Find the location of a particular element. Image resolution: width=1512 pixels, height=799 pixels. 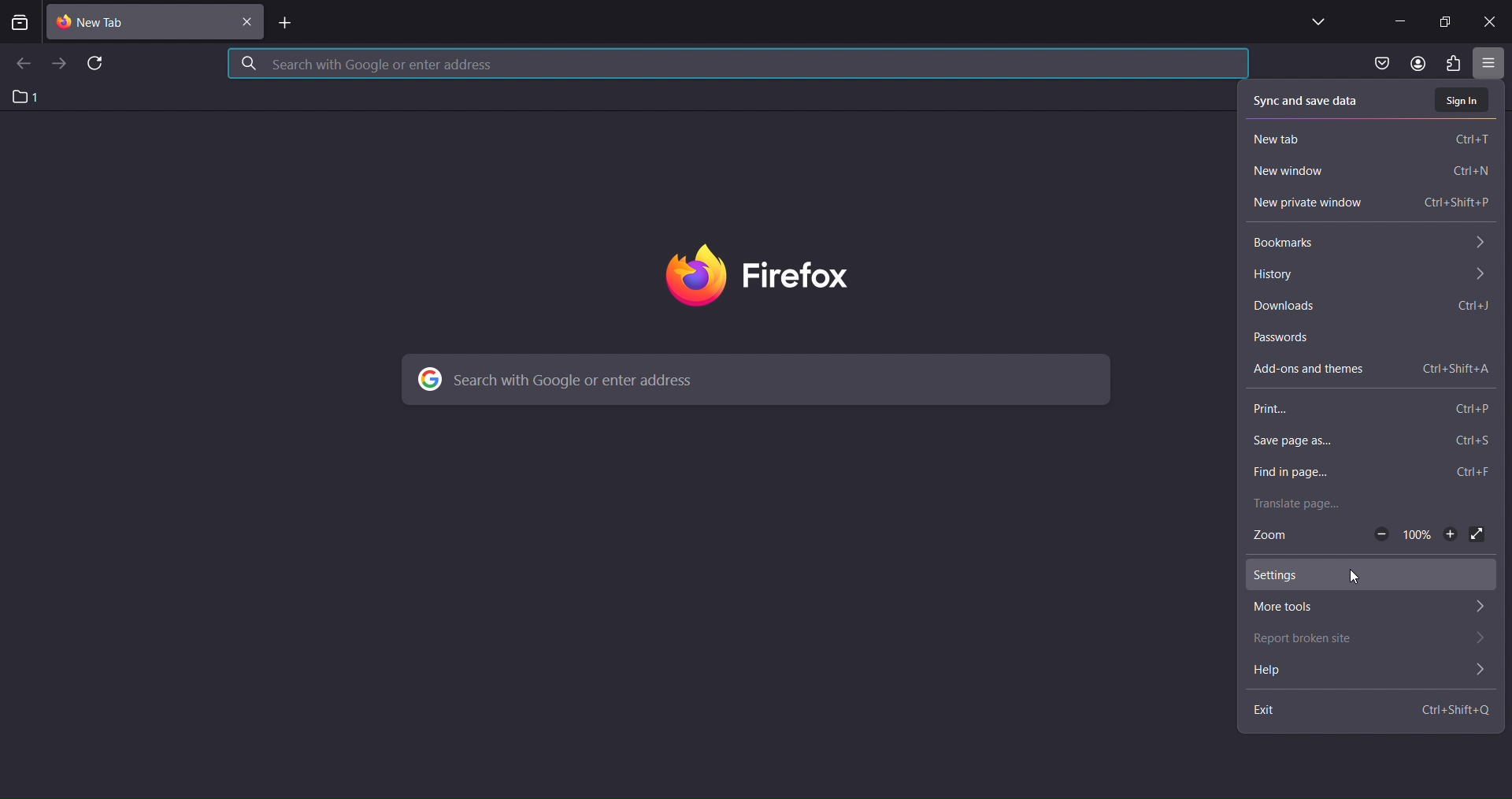

zoom in is located at coordinates (1382, 534).